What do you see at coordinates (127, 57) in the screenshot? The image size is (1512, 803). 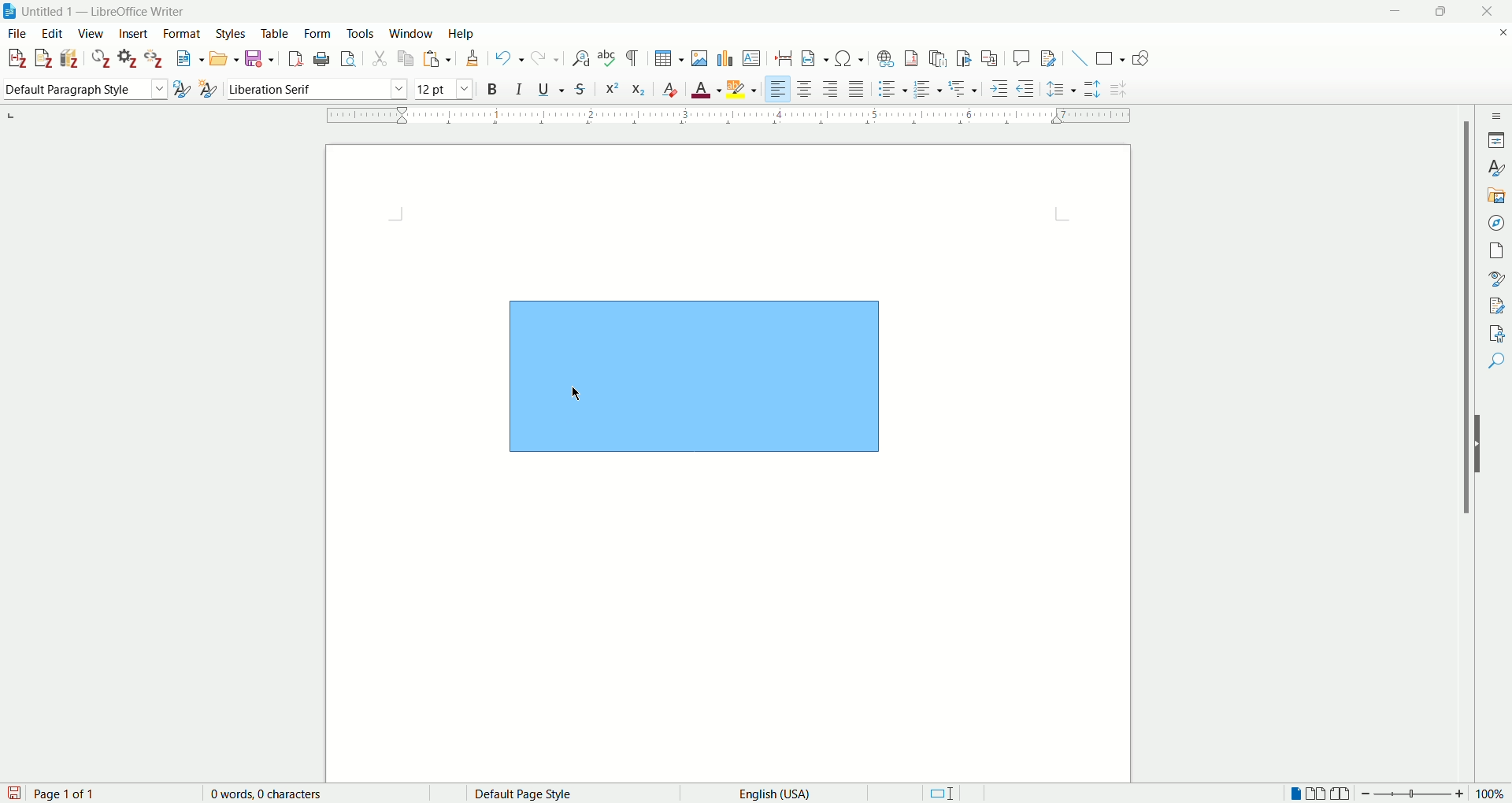 I see `document preferences` at bounding box center [127, 57].